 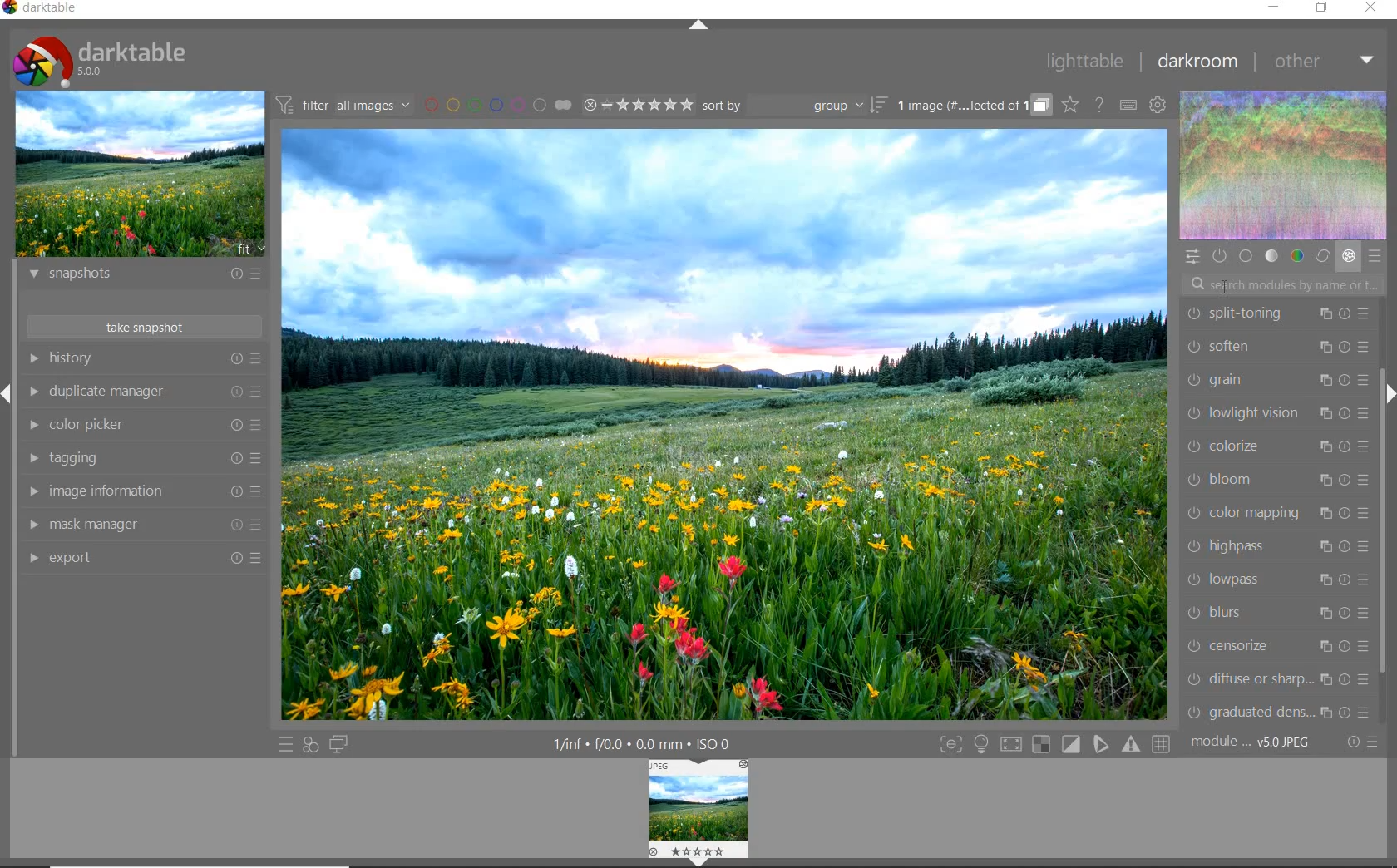 I want to click on quick access panel, so click(x=1194, y=257).